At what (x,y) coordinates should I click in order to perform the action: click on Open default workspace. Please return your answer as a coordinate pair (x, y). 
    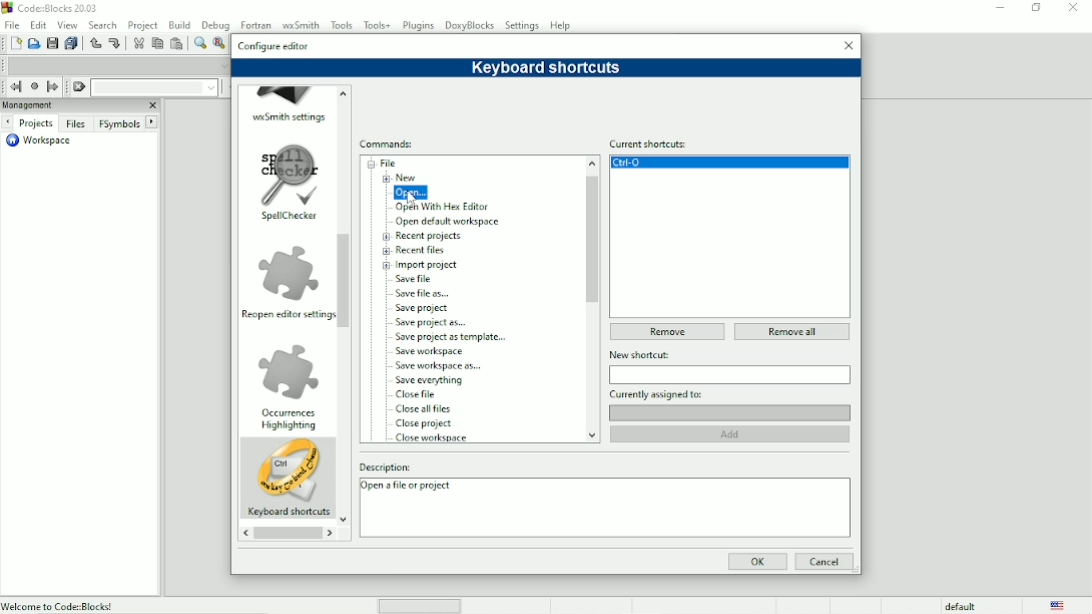
    Looking at the image, I should click on (451, 222).